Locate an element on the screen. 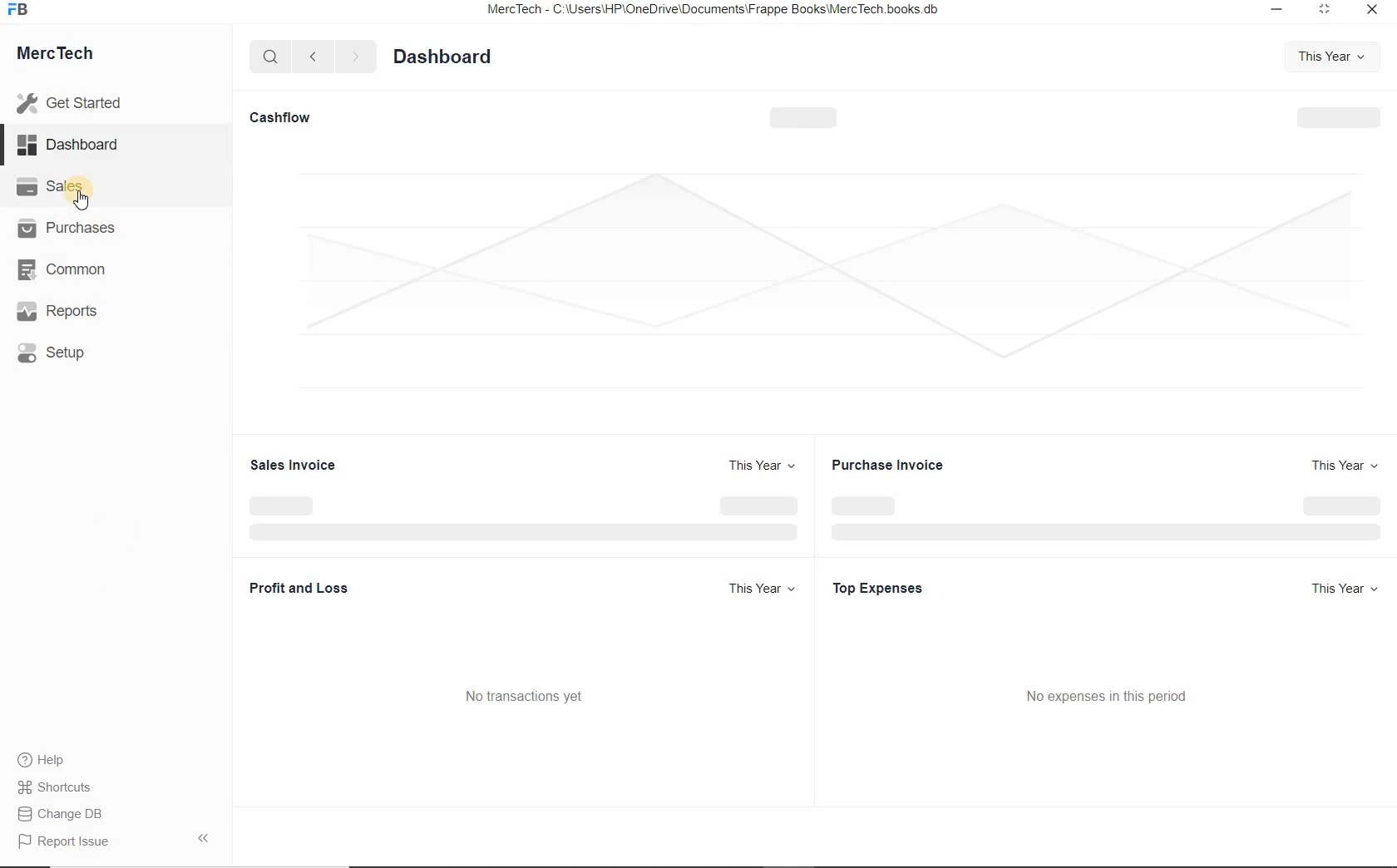 This screenshot has height=868, width=1397. Hide Sidebar is located at coordinates (202, 837).